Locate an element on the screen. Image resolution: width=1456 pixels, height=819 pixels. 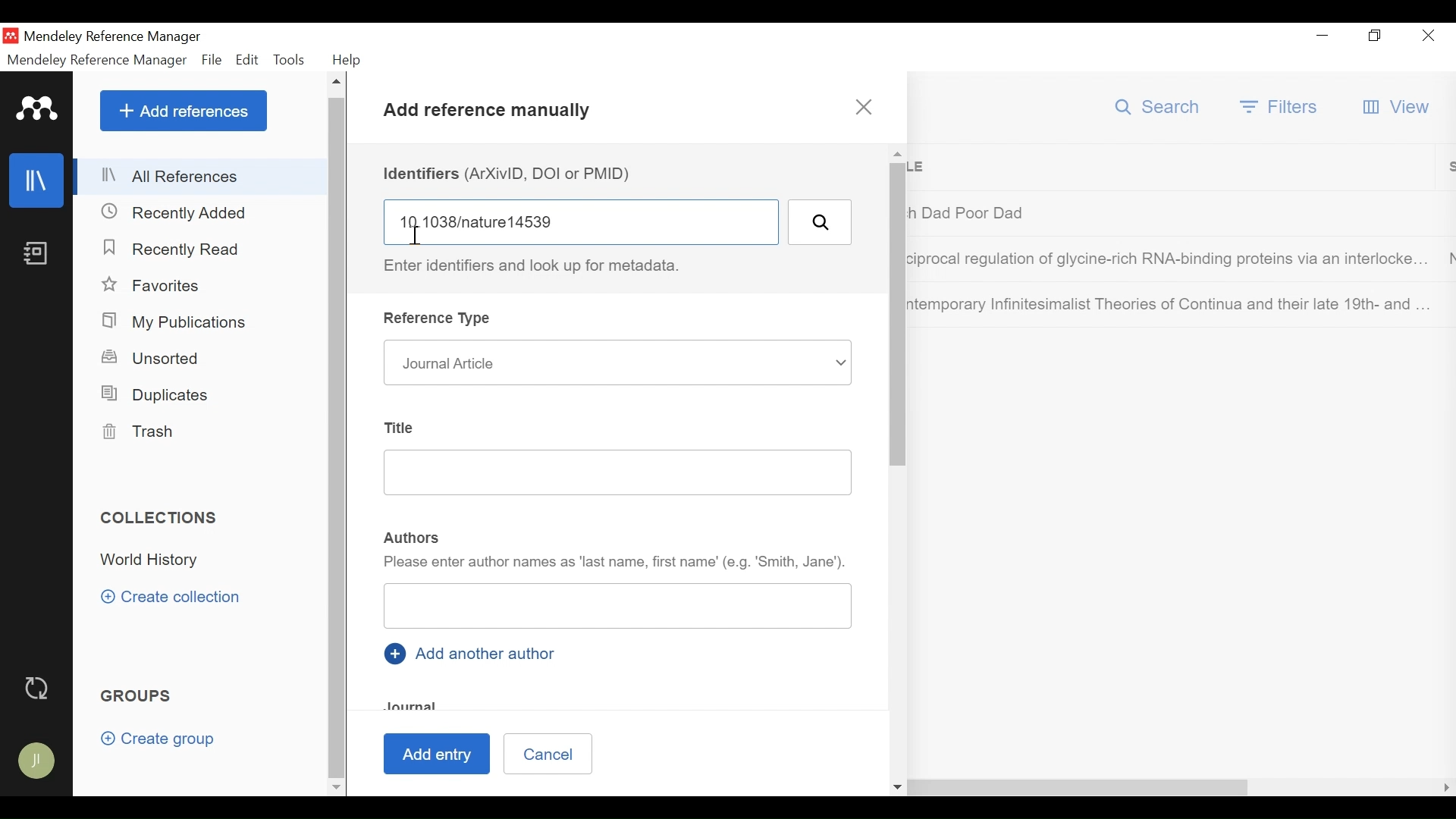
Create group is located at coordinates (158, 739).